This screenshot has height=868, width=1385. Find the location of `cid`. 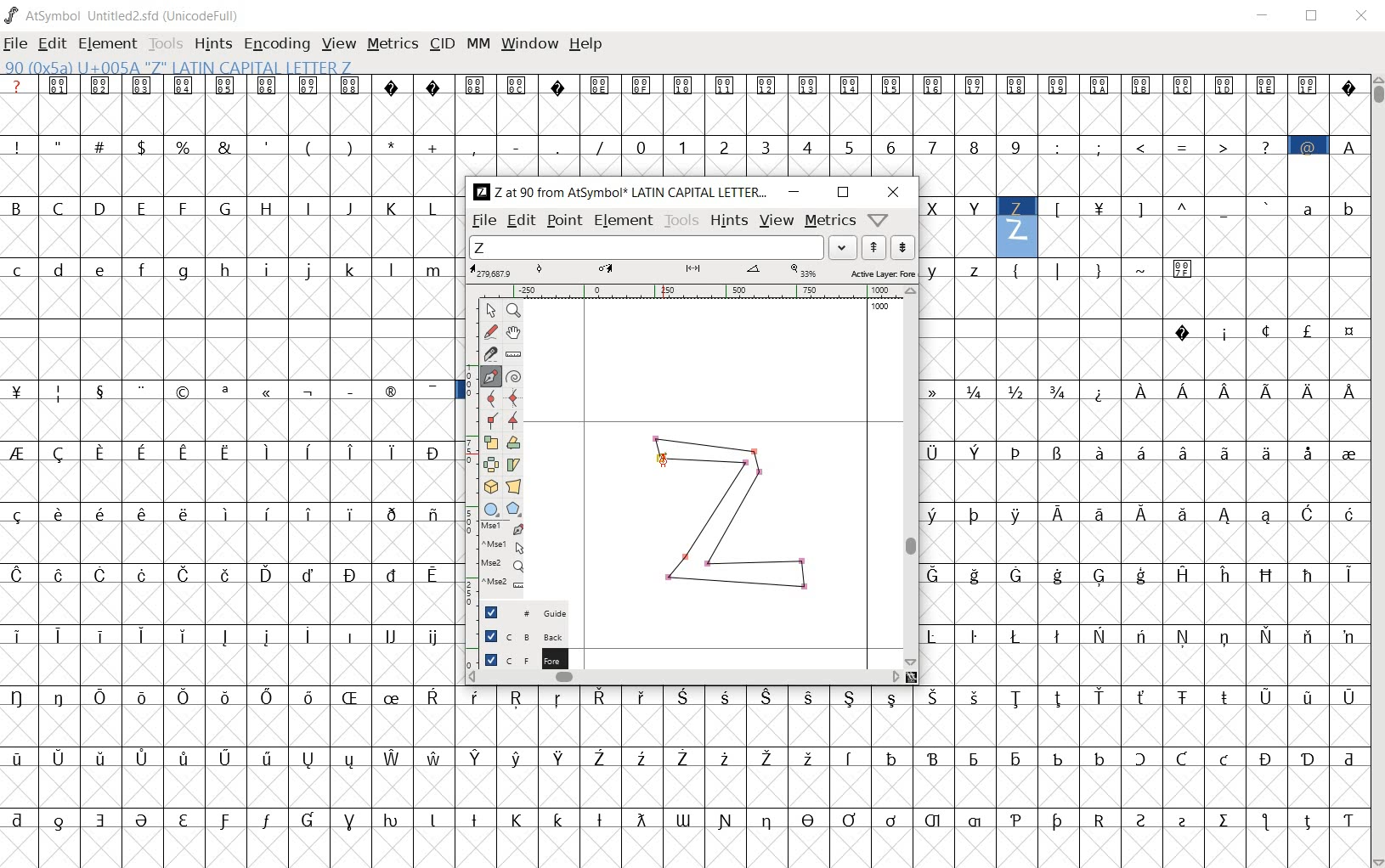

cid is located at coordinates (442, 43).